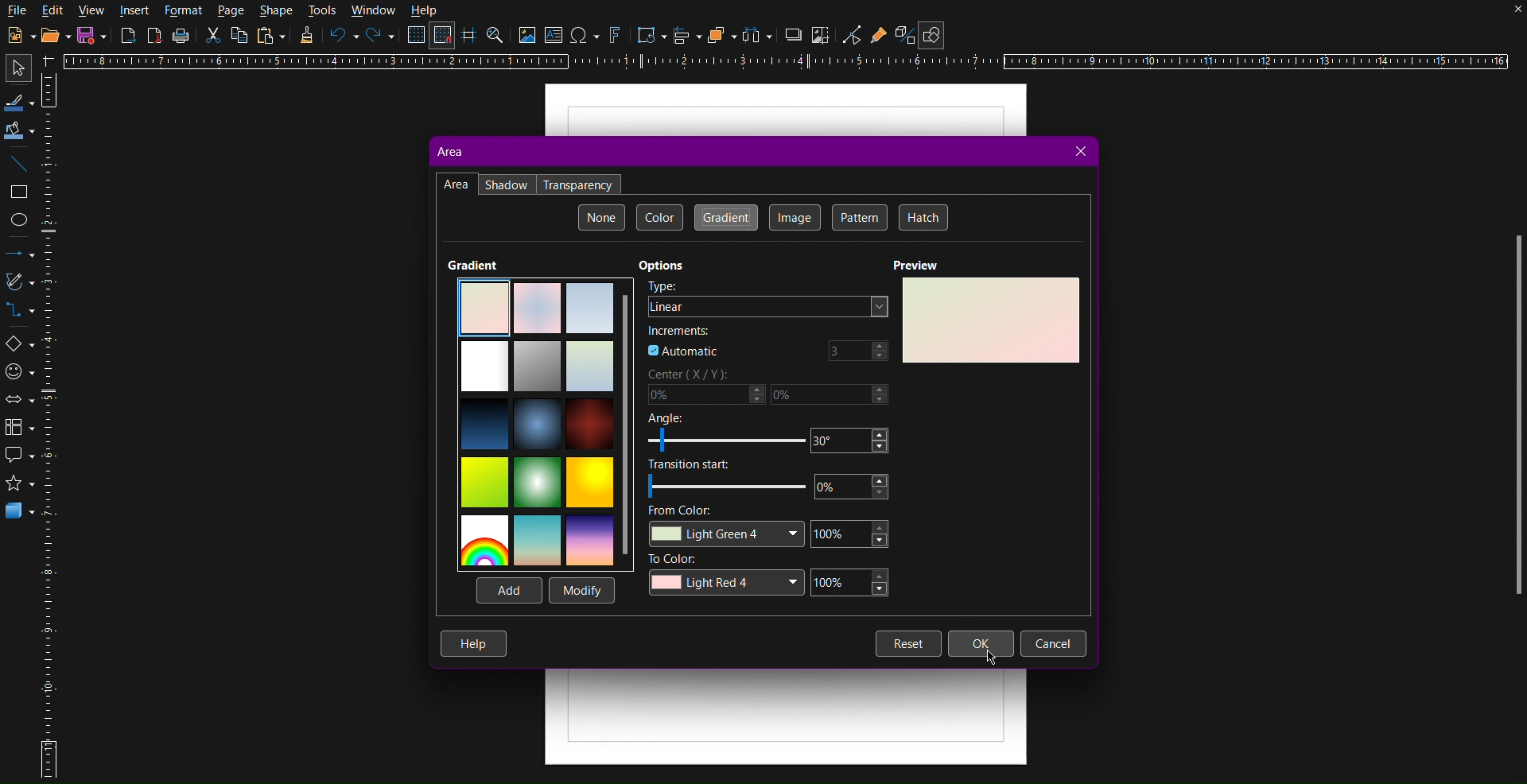 The height and width of the screenshot is (784, 1527). I want to click on Help, so click(474, 645).